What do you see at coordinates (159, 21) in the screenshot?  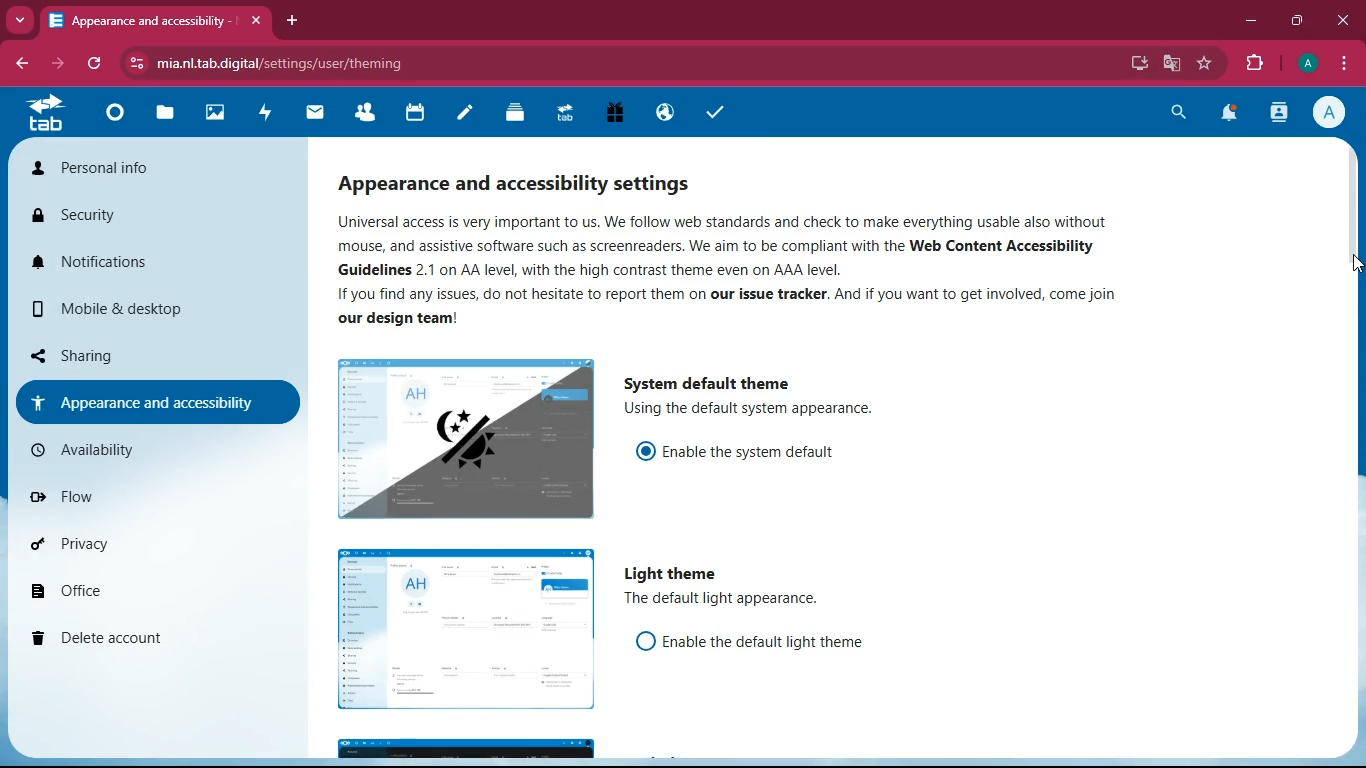 I see `appearance and accessibility ` at bounding box center [159, 21].